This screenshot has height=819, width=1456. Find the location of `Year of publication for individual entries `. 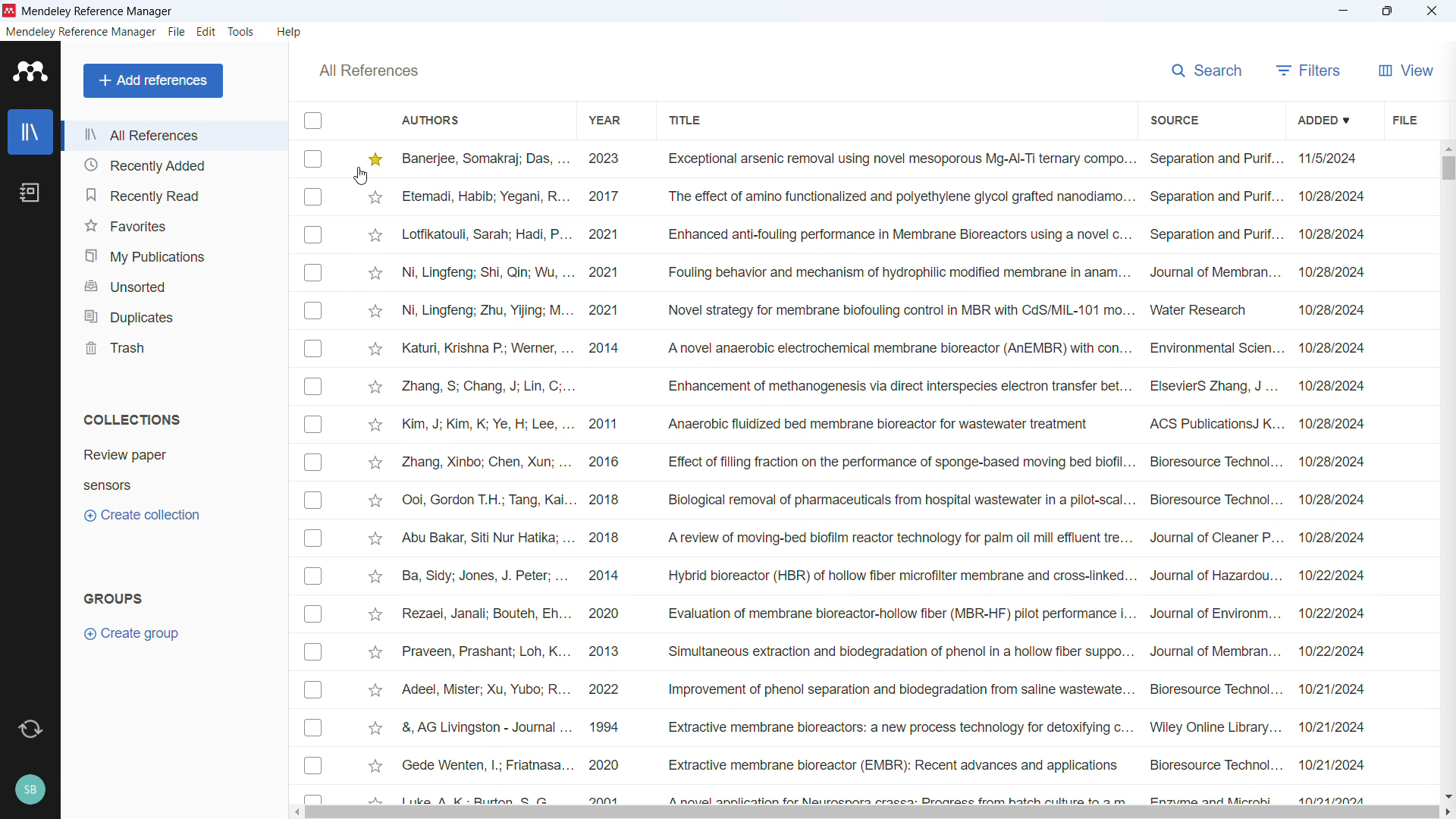

Year of publication for individual entries  is located at coordinates (604, 475).